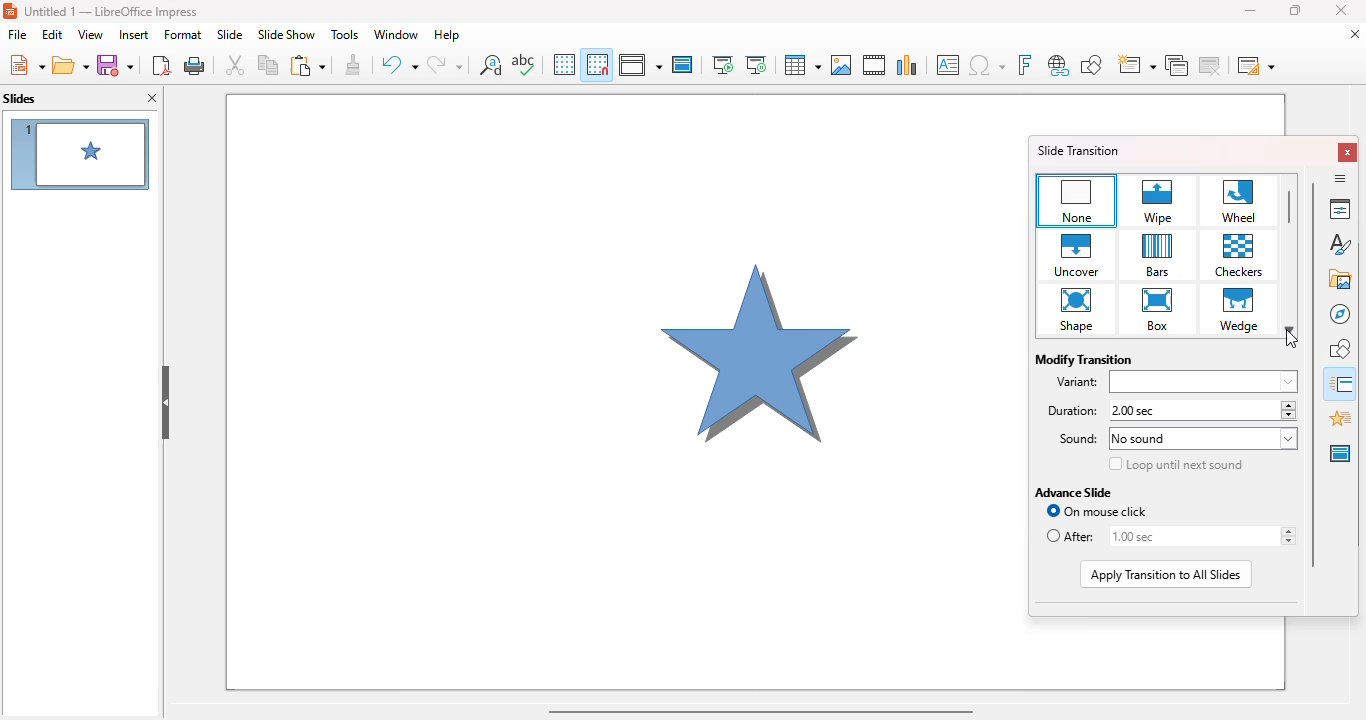 Image resolution: width=1366 pixels, height=720 pixels. Describe the element at coordinates (1290, 206) in the screenshot. I see `vertical scroll bar` at that location.